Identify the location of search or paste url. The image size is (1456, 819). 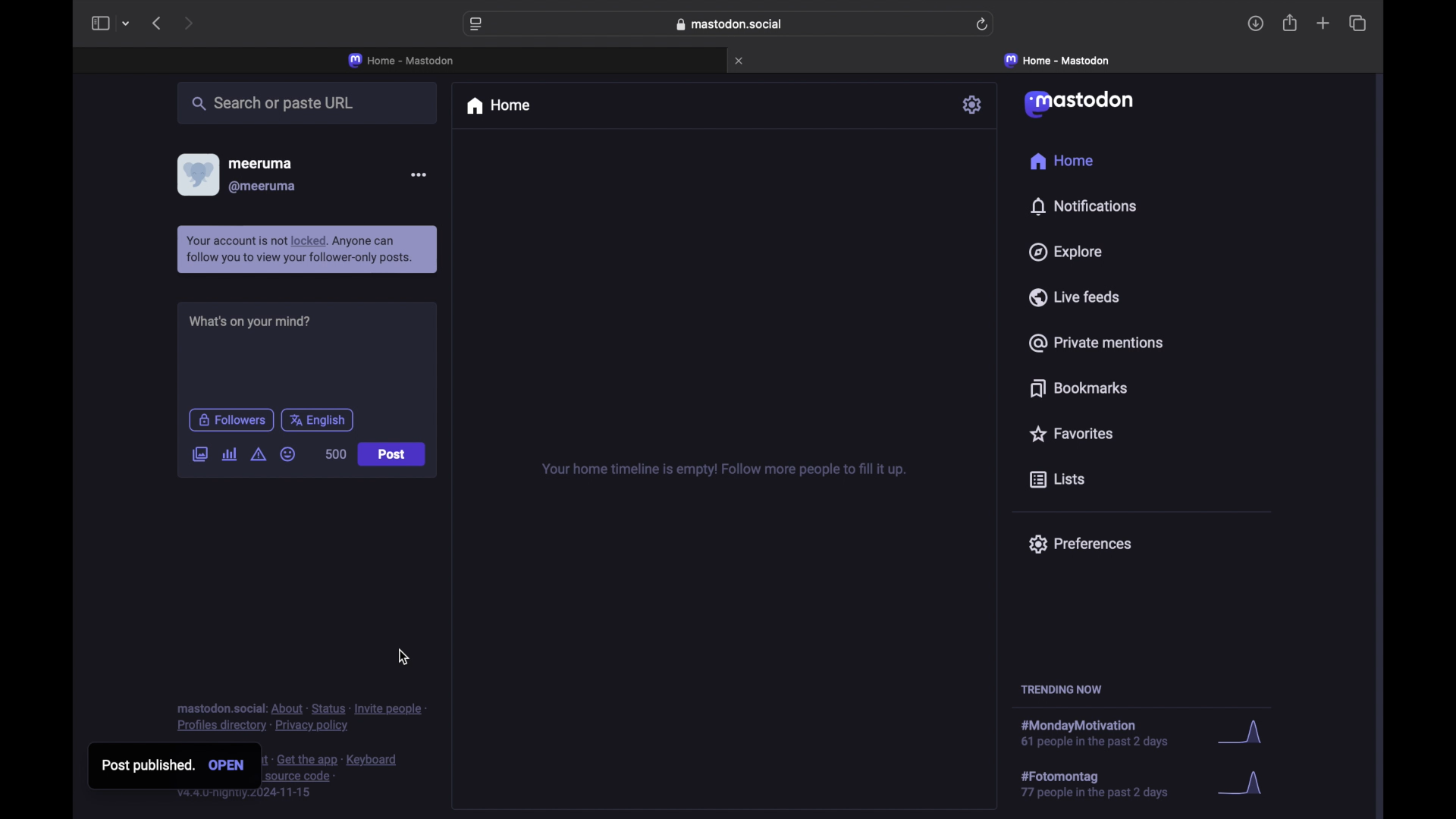
(278, 105).